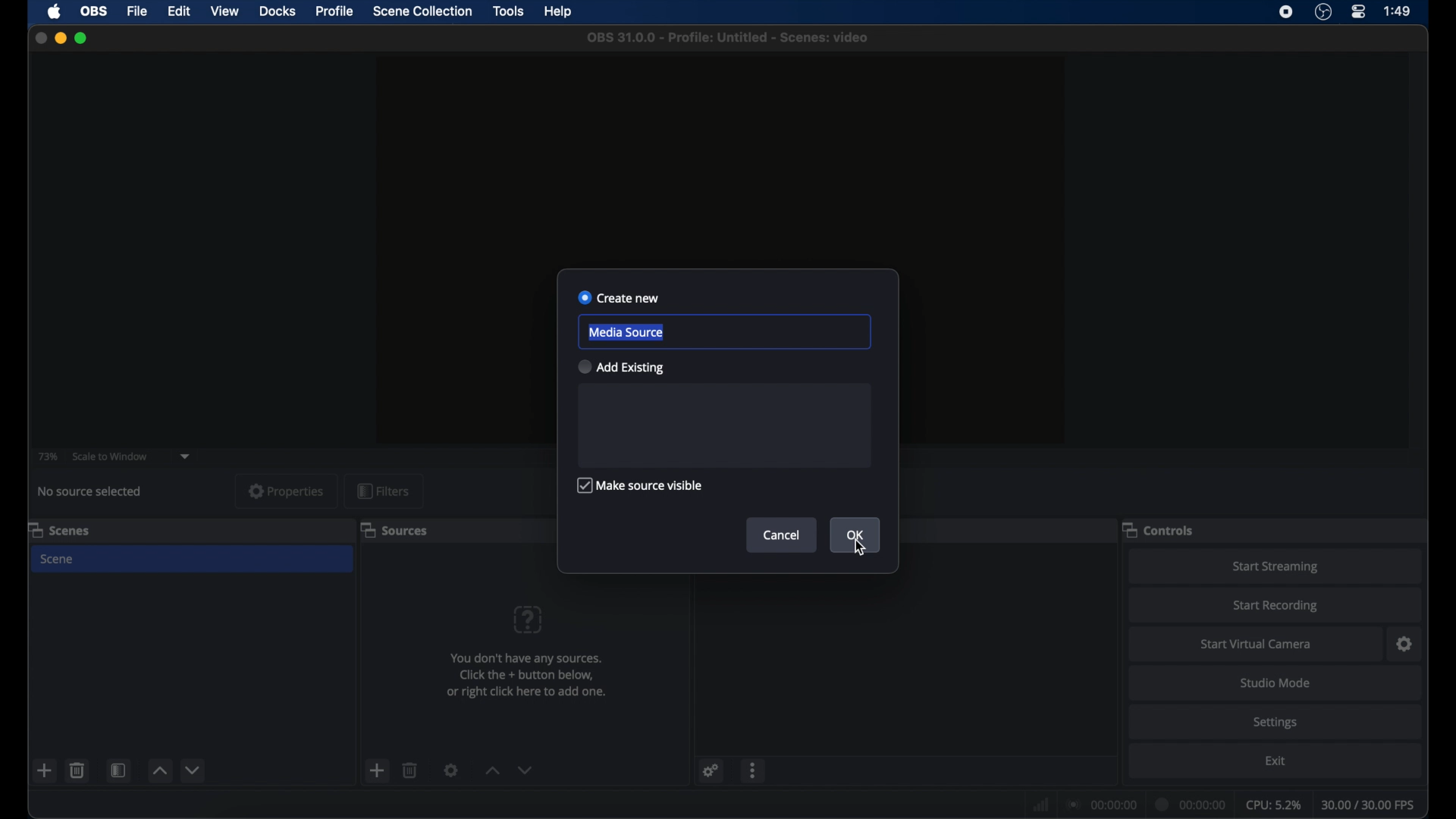  Describe the element at coordinates (1405, 644) in the screenshot. I see `settings` at that location.